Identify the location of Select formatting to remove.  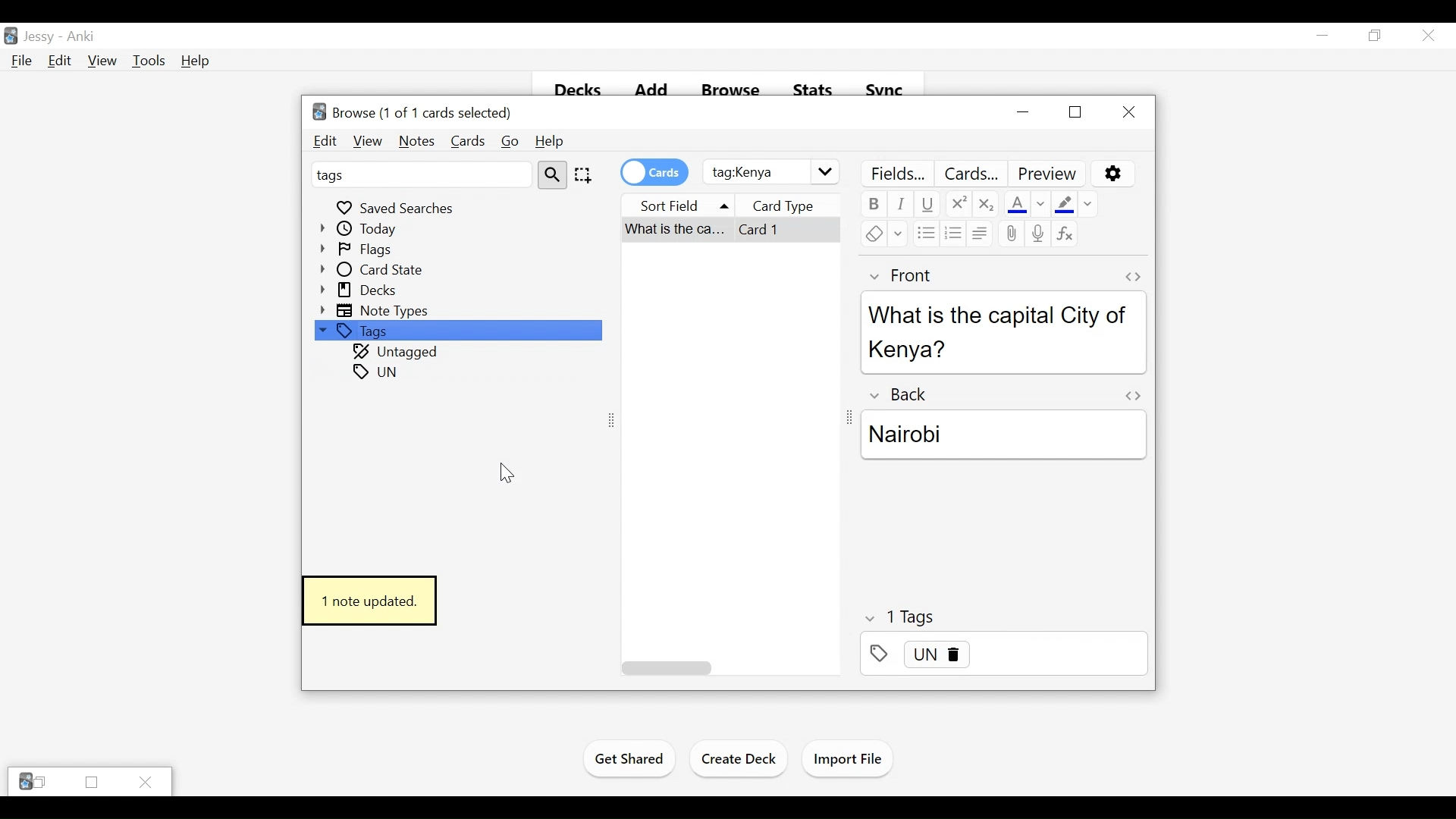
(898, 234).